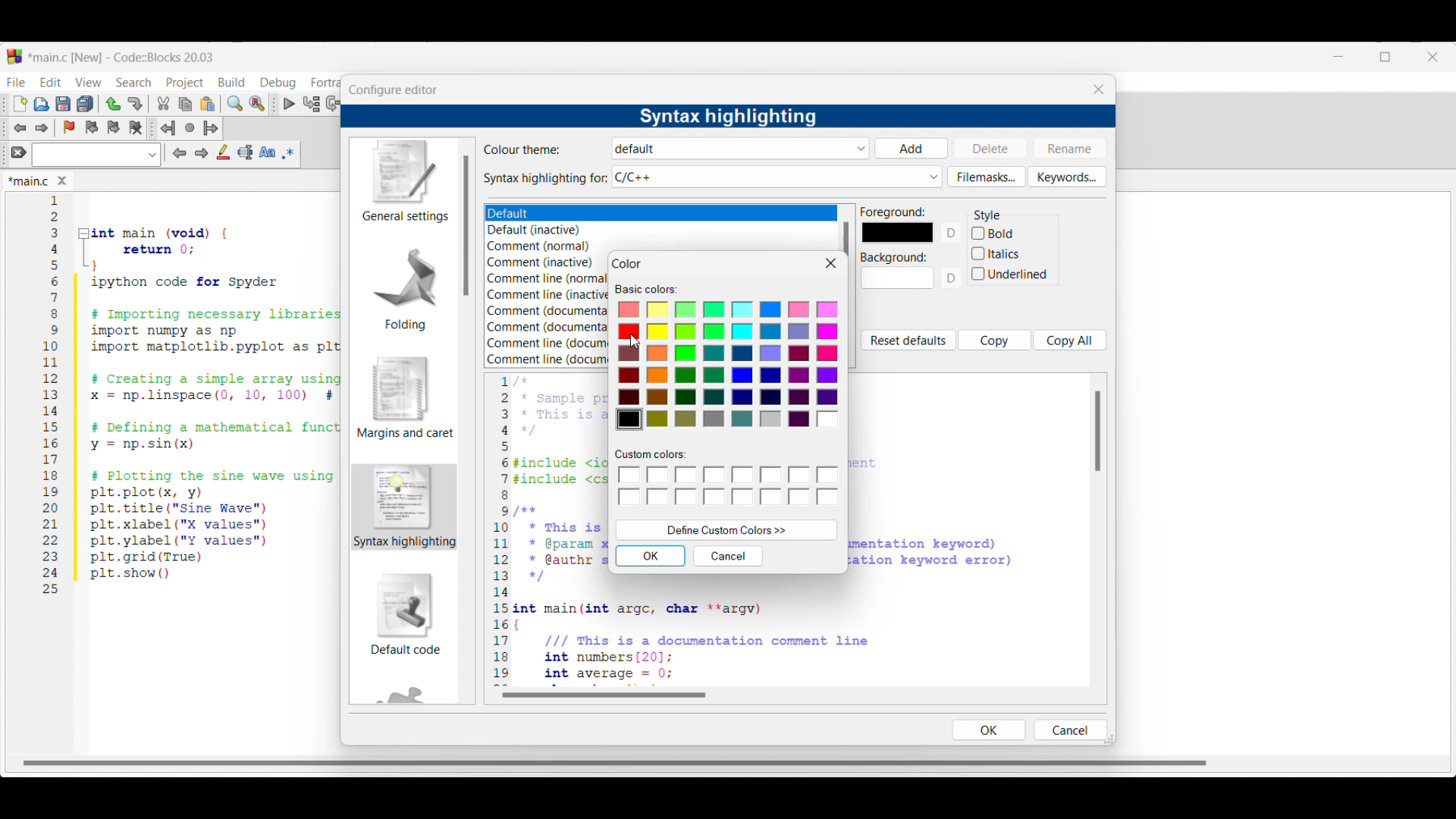 The height and width of the screenshot is (819, 1456). Describe the element at coordinates (996, 253) in the screenshot. I see `italics` at that location.